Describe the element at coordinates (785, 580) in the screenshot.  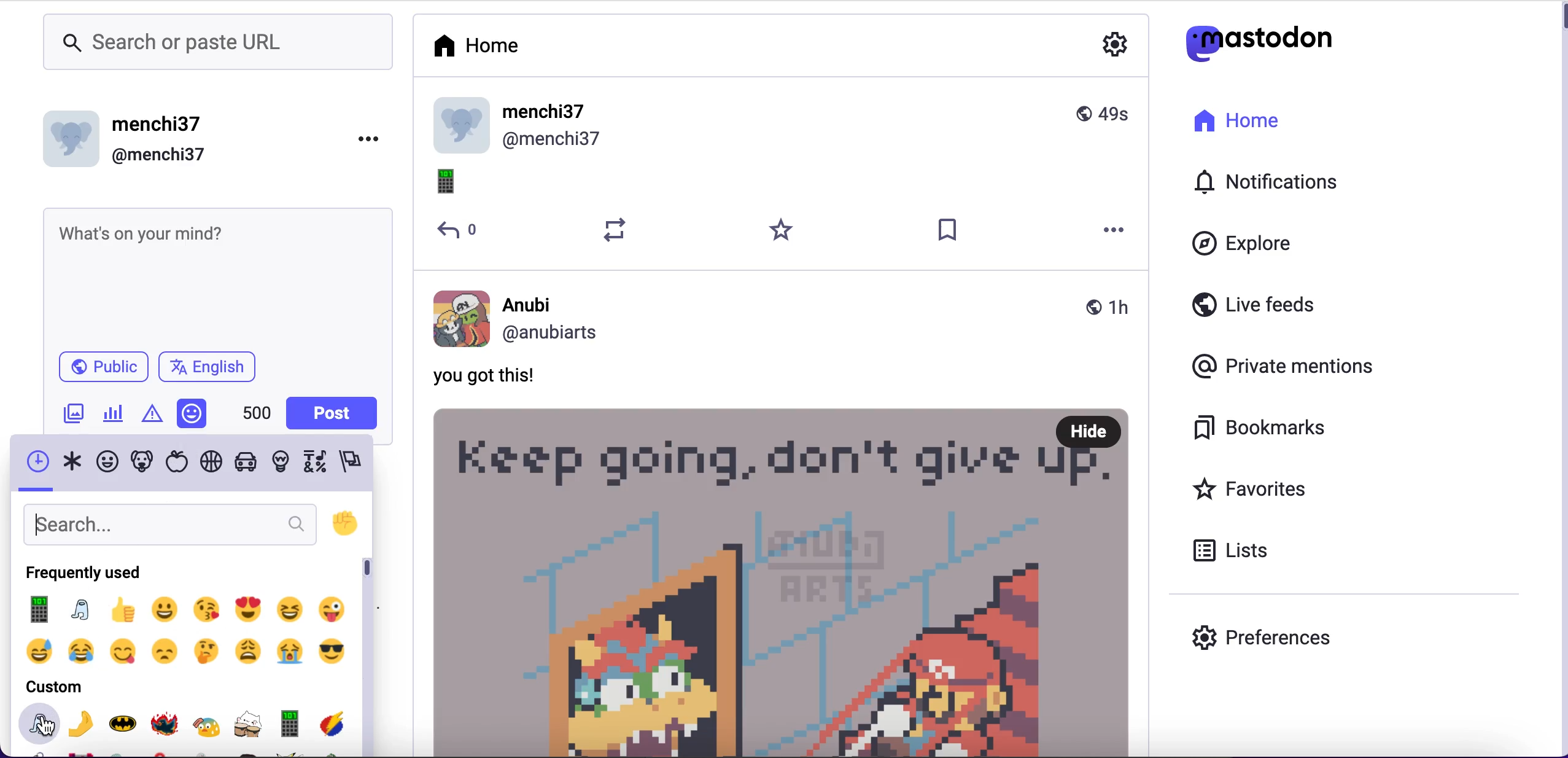
I see `post` at that location.